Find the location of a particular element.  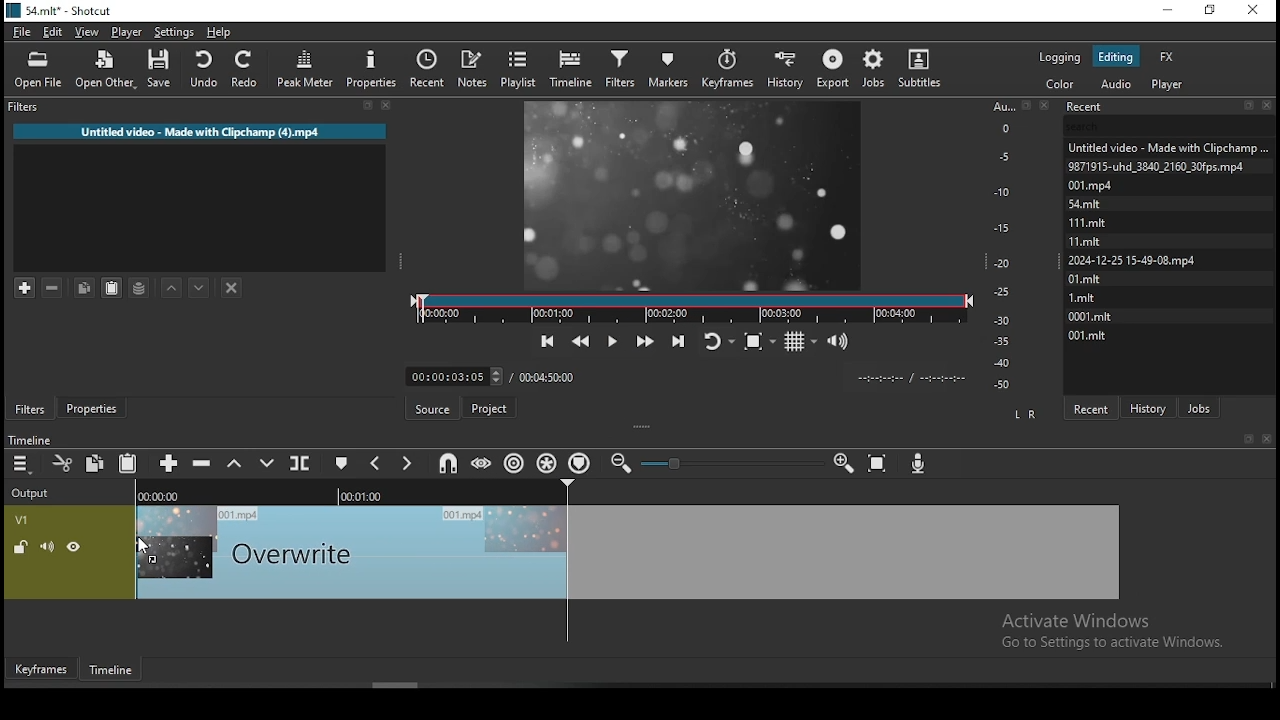

timeline is located at coordinates (107, 669).